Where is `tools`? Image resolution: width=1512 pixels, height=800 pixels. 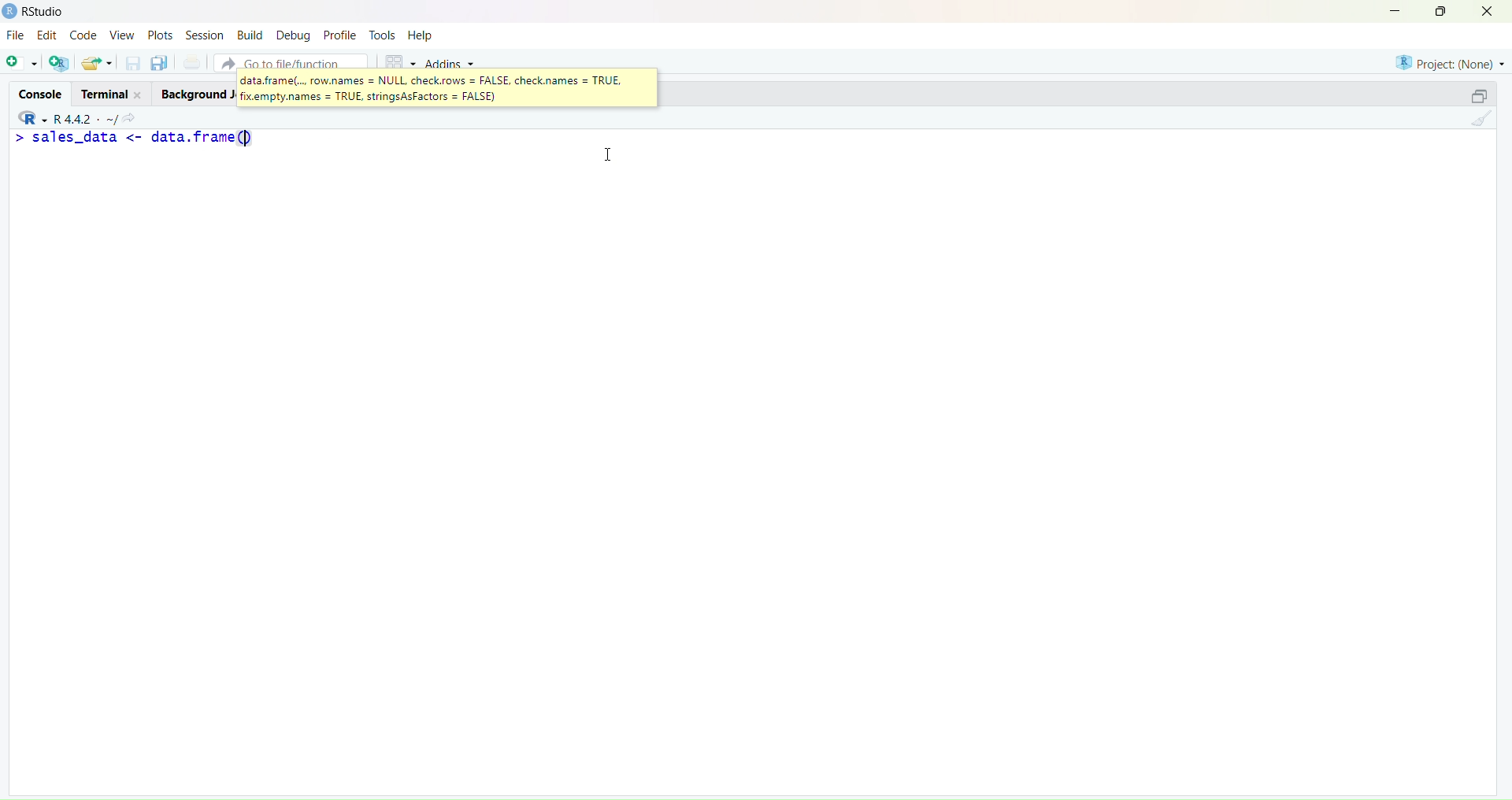
tools is located at coordinates (382, 35).